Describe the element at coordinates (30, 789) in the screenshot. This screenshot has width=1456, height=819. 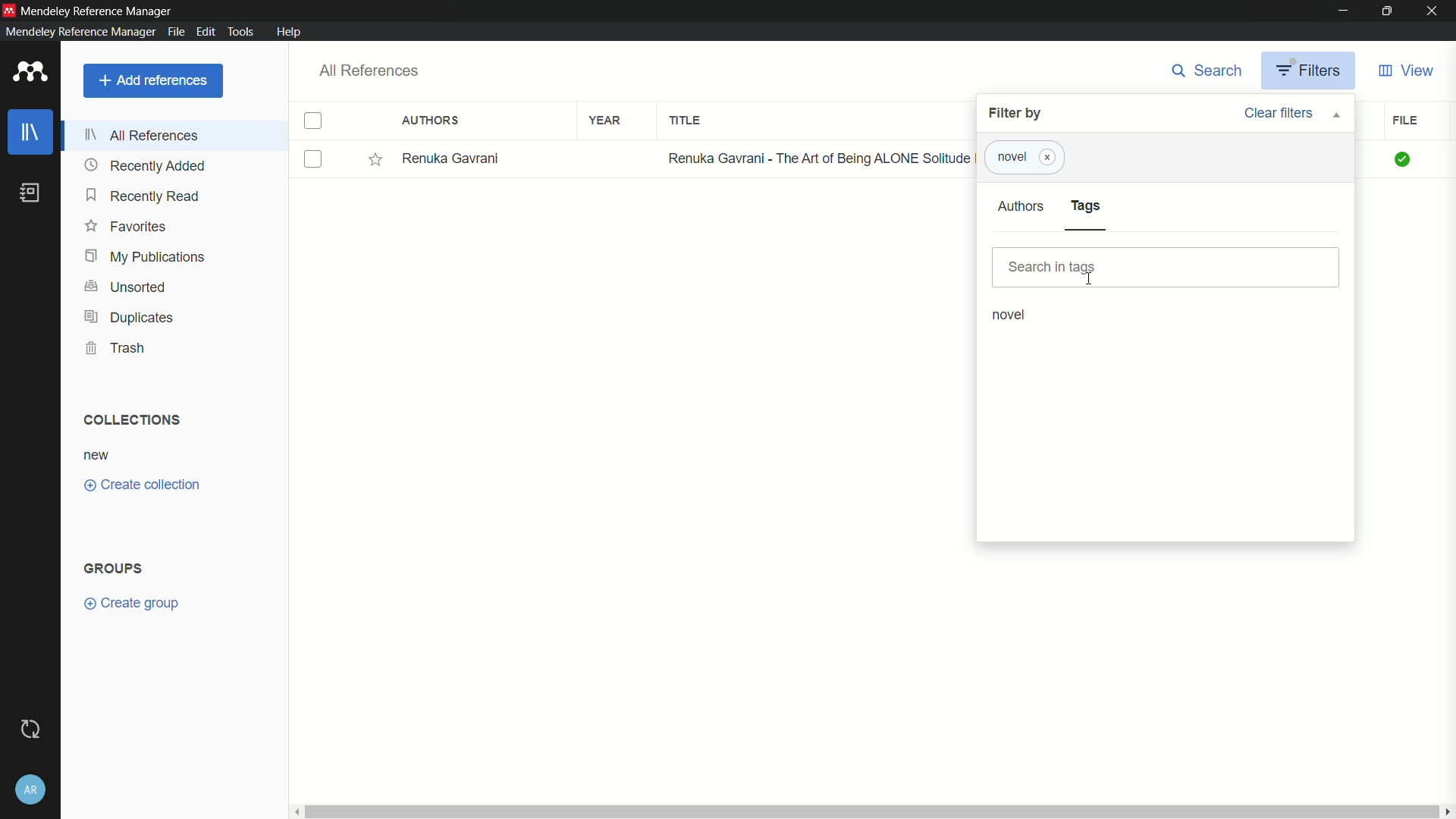
I see `account and settings` at that location.